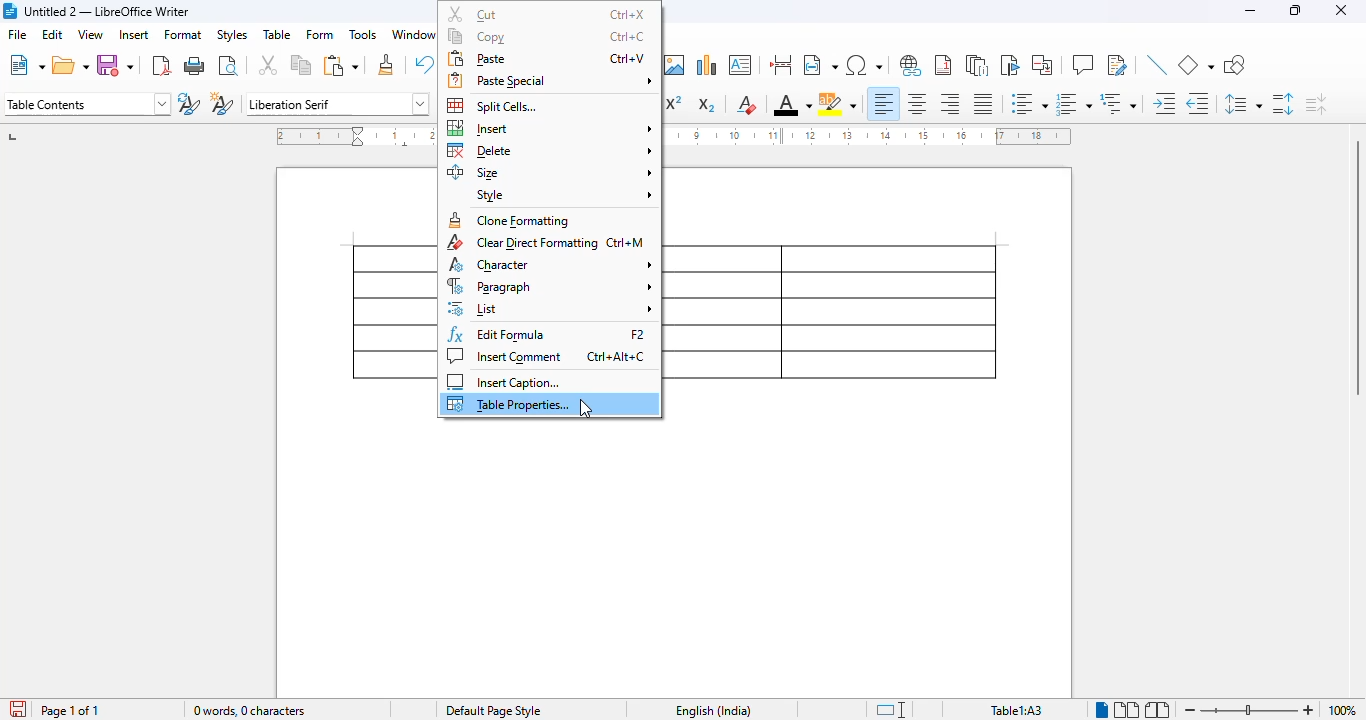 This screenshot has height=720, width=1366. I want to click on standard selection, so click(891, 710).